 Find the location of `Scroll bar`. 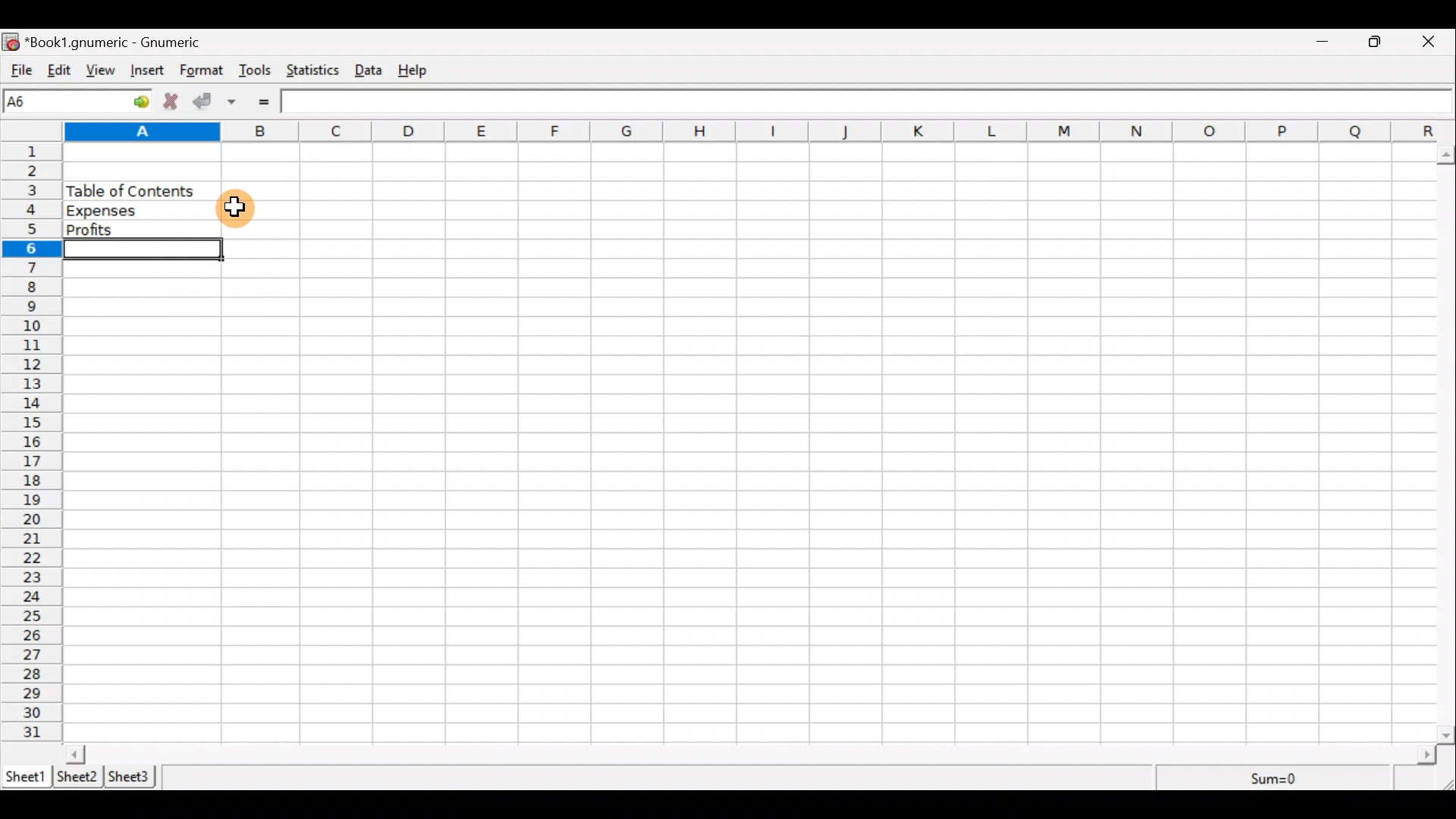

Scroll bar is located at coordinates (1447, 441).